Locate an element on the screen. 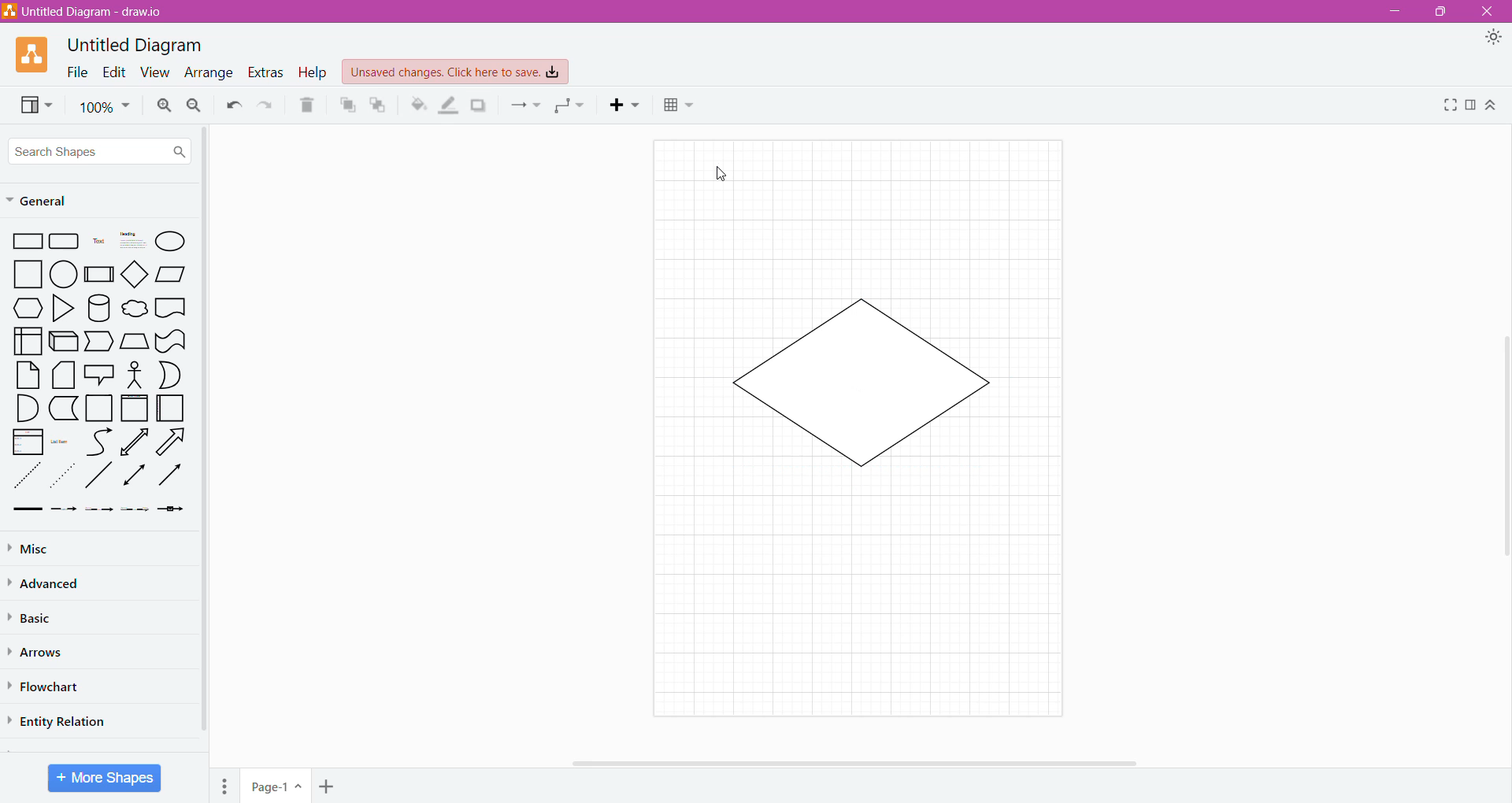 The height and width of the screenshot is (803, 1512). Misc is located at coordinates (31, 549).